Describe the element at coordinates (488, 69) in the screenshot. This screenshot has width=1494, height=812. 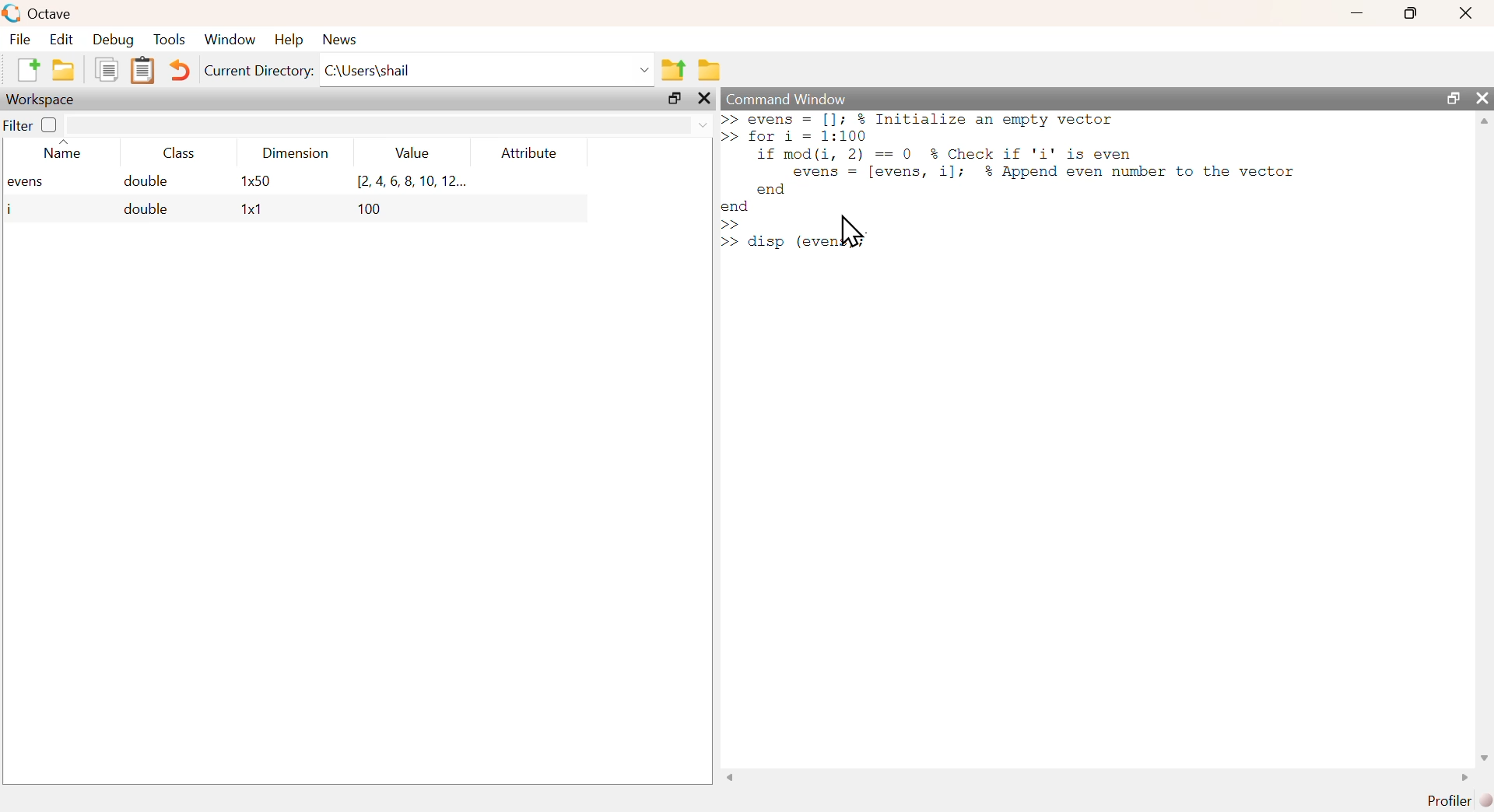
I see `C:\Users\shail ` at that location.